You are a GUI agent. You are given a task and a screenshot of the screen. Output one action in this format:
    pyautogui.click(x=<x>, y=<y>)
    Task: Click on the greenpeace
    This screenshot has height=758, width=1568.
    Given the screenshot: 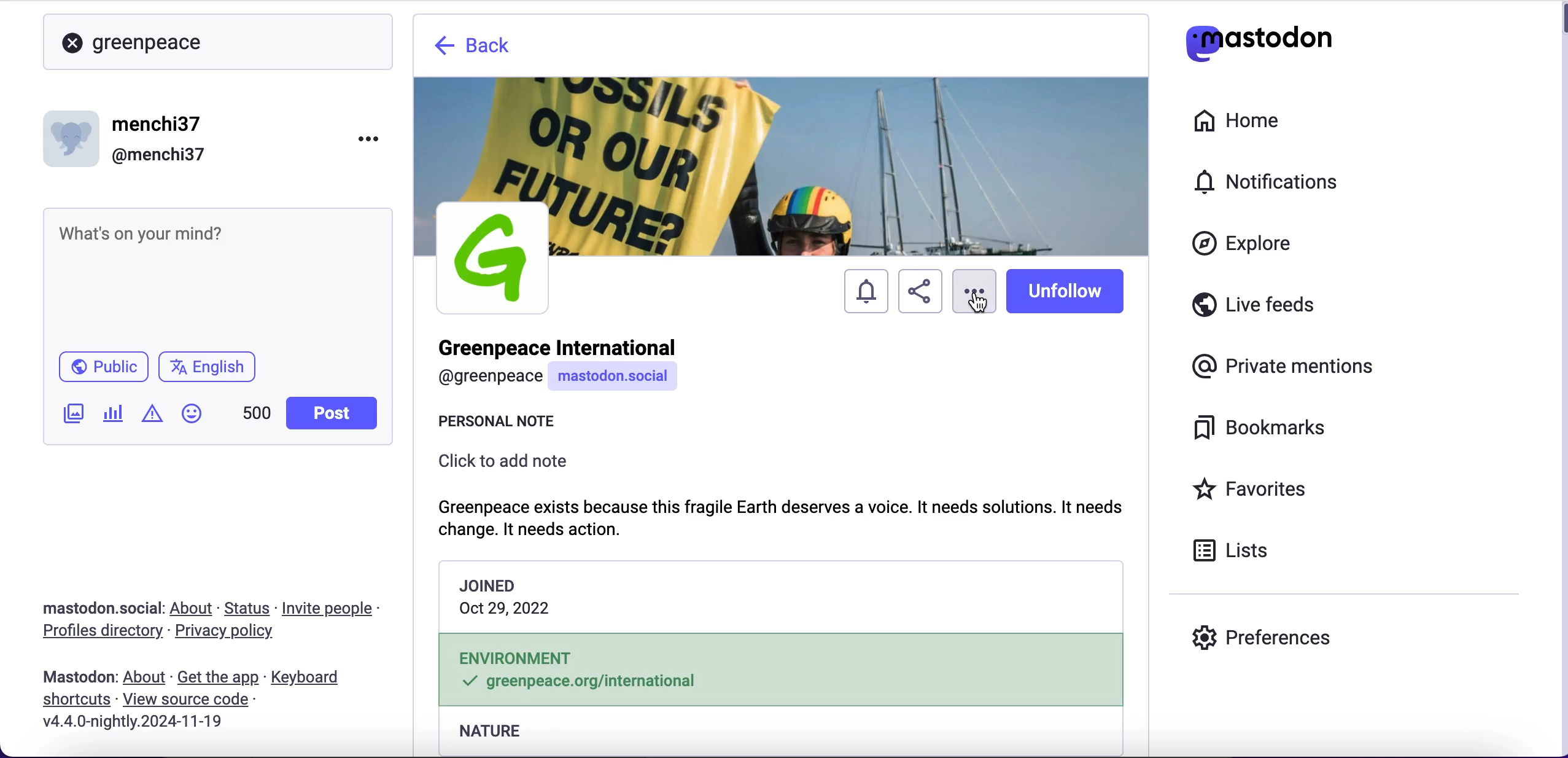 What is the action you would take?
    pyautogui.click(x=153, y=42)
    